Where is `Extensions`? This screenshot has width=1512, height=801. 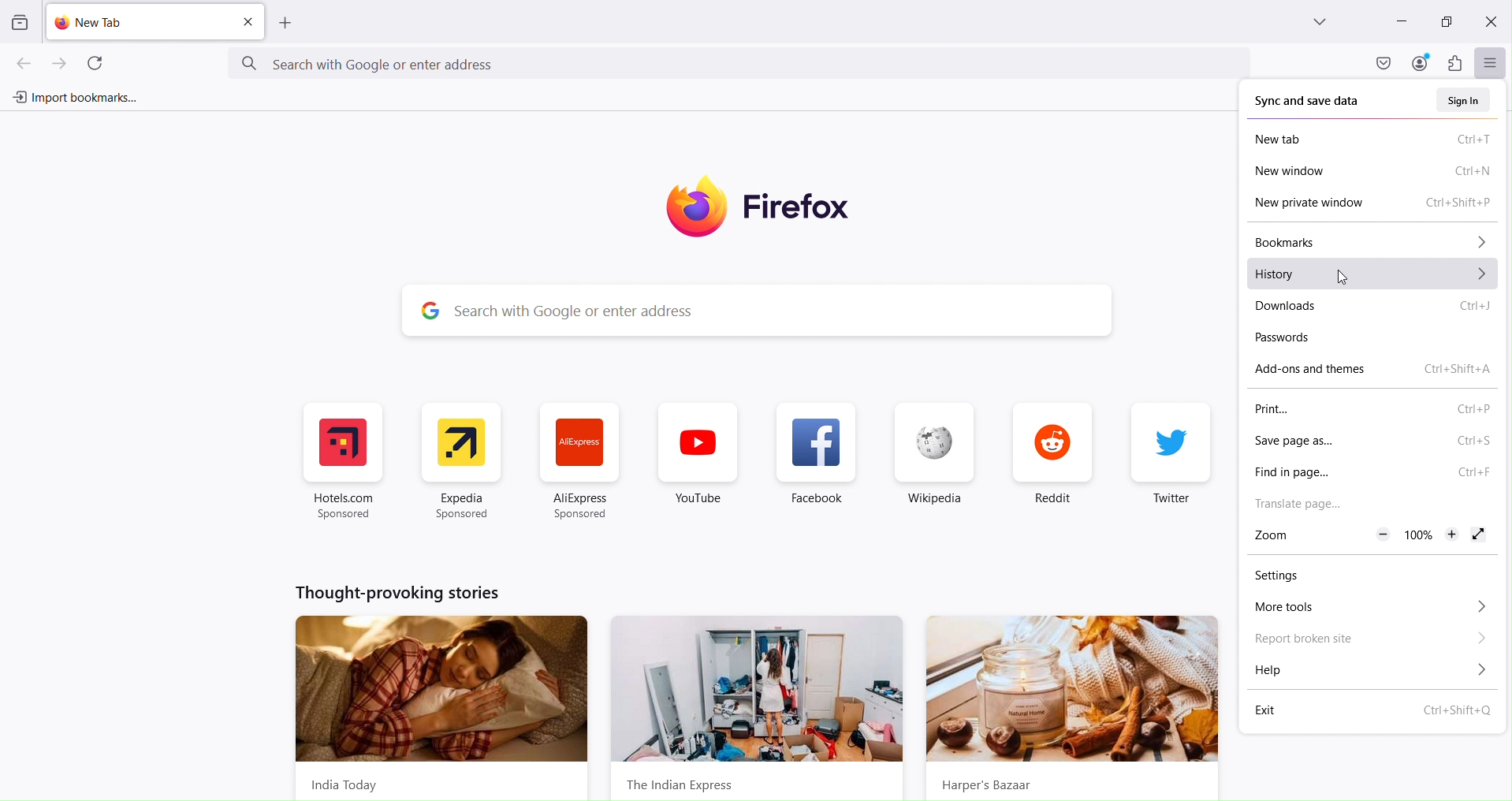 Extensions is located at coordinates (1452, 62).